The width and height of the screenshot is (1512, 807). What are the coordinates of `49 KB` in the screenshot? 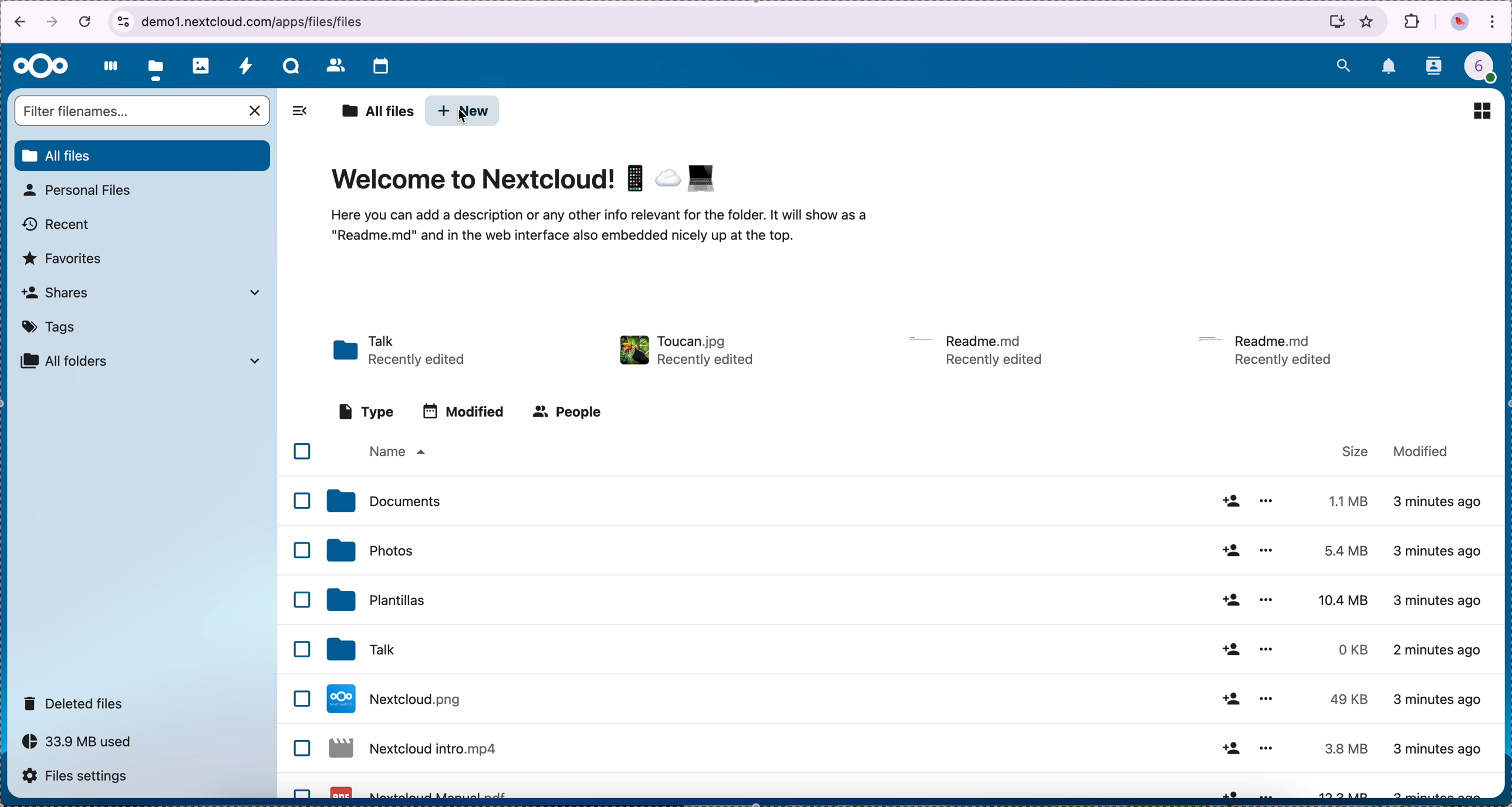 It's located at (1348, 699).